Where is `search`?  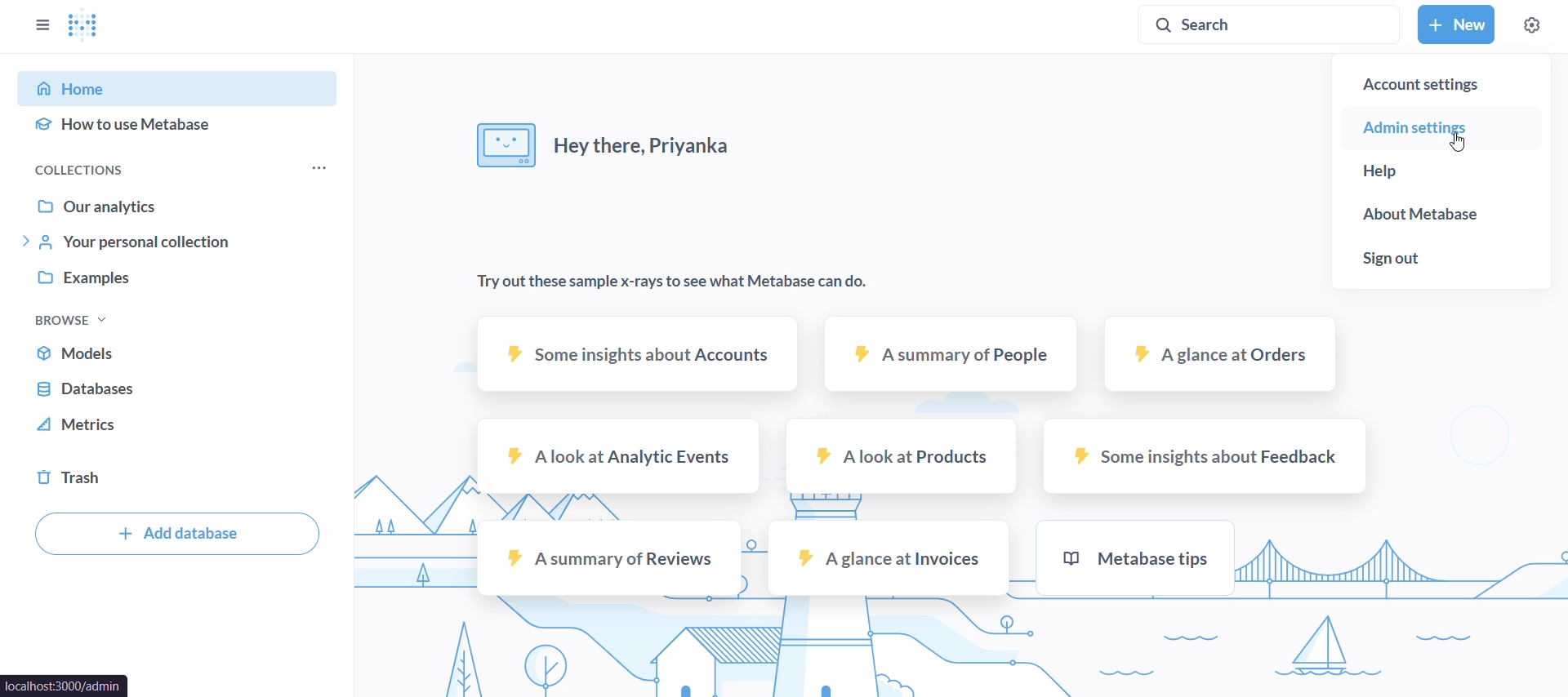 search is located at coordinates (1272, 25).